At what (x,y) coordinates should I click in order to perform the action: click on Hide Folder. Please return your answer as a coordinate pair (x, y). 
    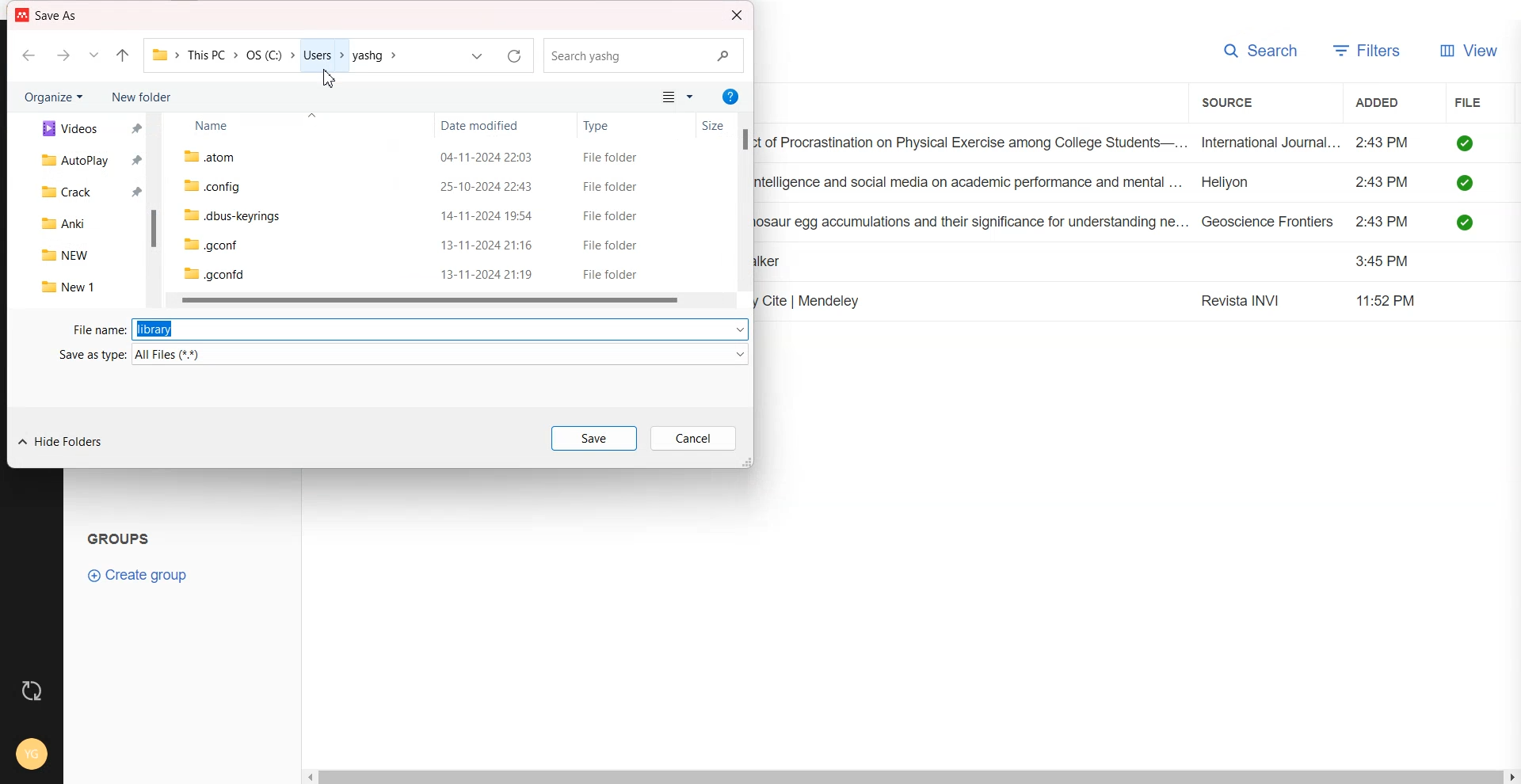
    Looking at the image, I should click on (64, 442).